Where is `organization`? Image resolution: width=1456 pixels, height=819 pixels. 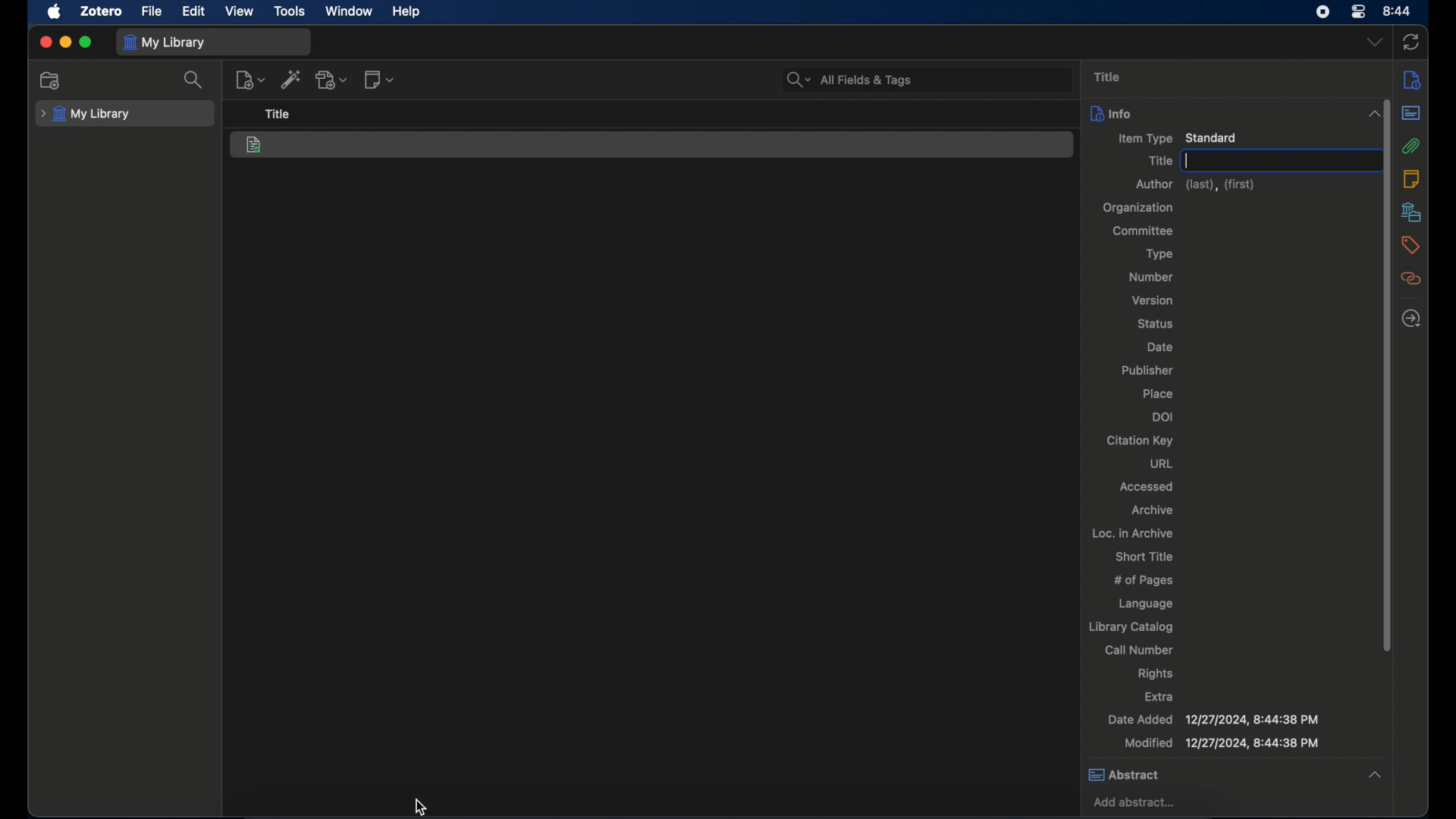 organization is located at coordinates (1137, 208).